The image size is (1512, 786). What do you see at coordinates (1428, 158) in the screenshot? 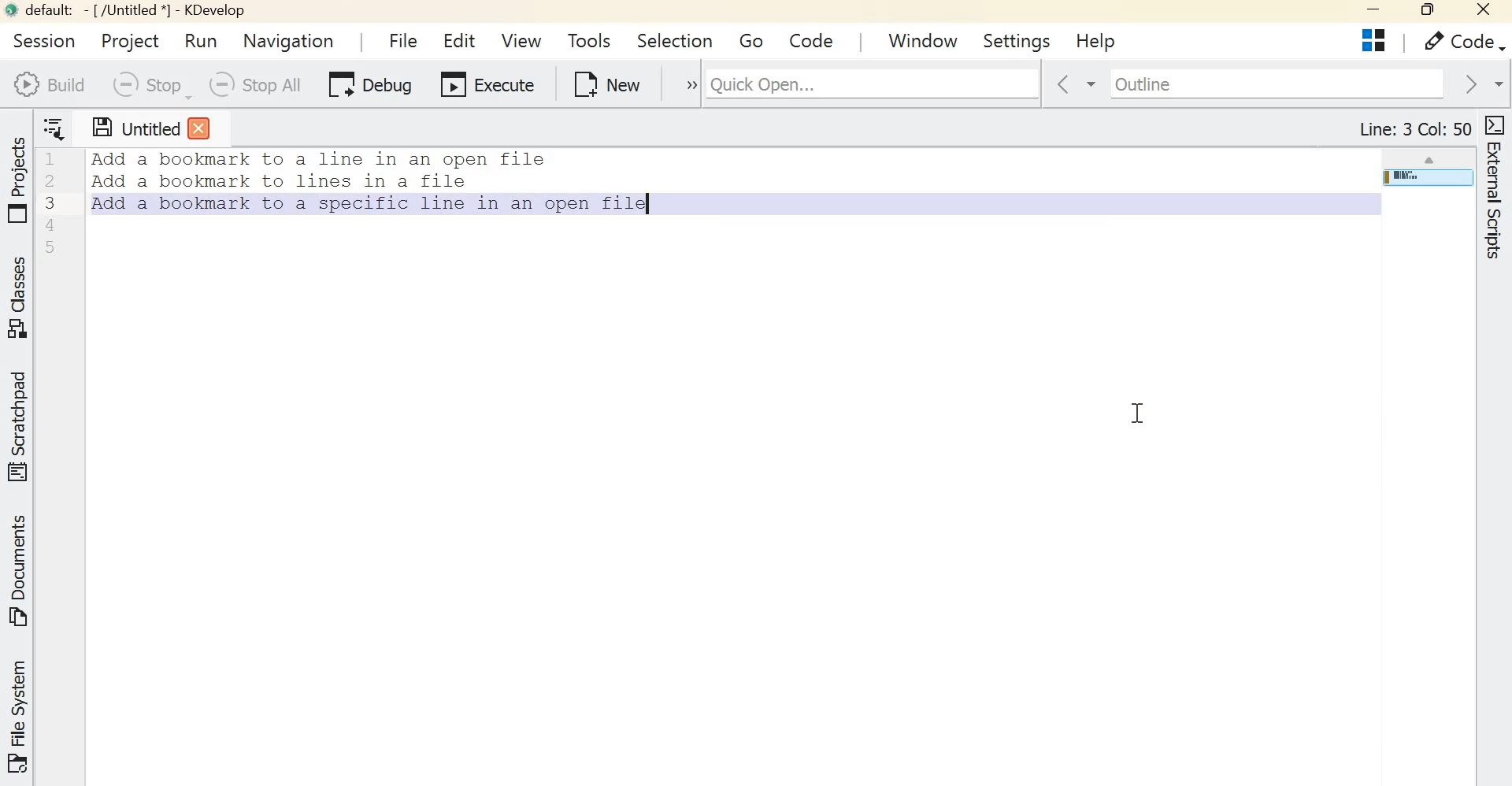
I see `scroll up arrow` at bounding box center [1428, 158].